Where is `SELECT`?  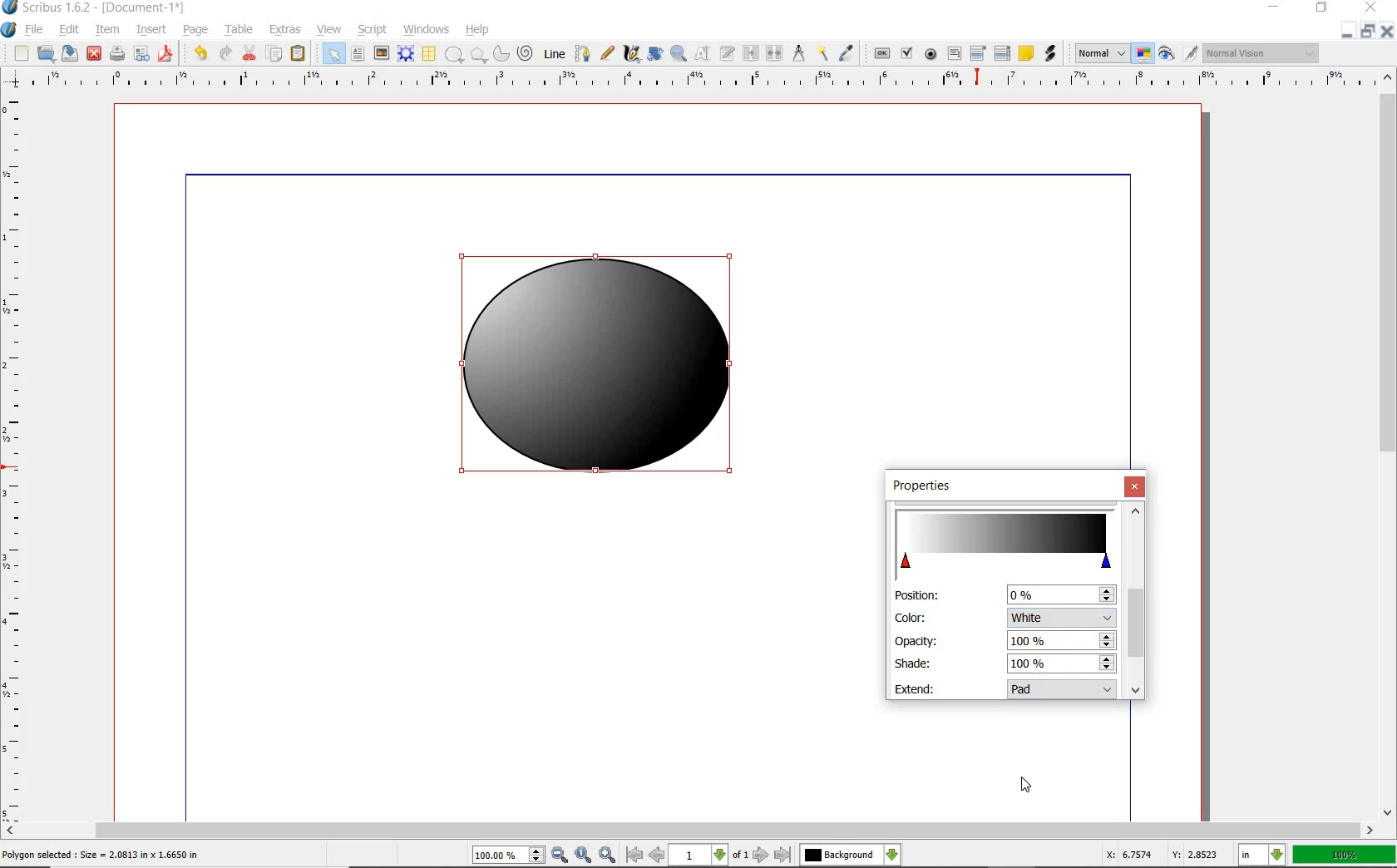
SELECT is located at coordinates (333, 55).